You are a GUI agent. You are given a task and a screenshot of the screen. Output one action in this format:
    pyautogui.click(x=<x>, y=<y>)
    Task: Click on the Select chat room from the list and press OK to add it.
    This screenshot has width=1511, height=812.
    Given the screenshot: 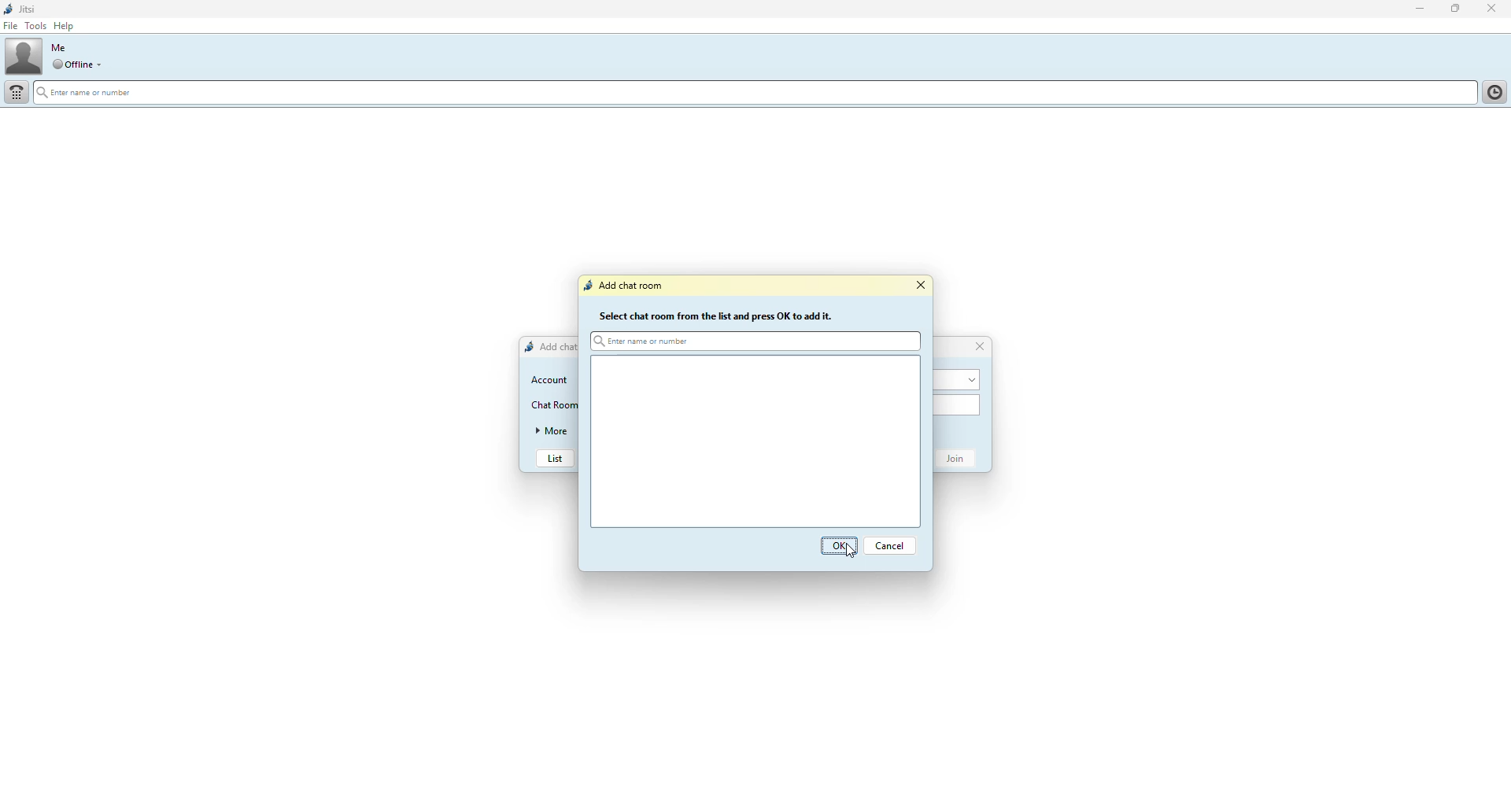 What is the action you would take?
    pyautogui.click(x=717, y=315)
    